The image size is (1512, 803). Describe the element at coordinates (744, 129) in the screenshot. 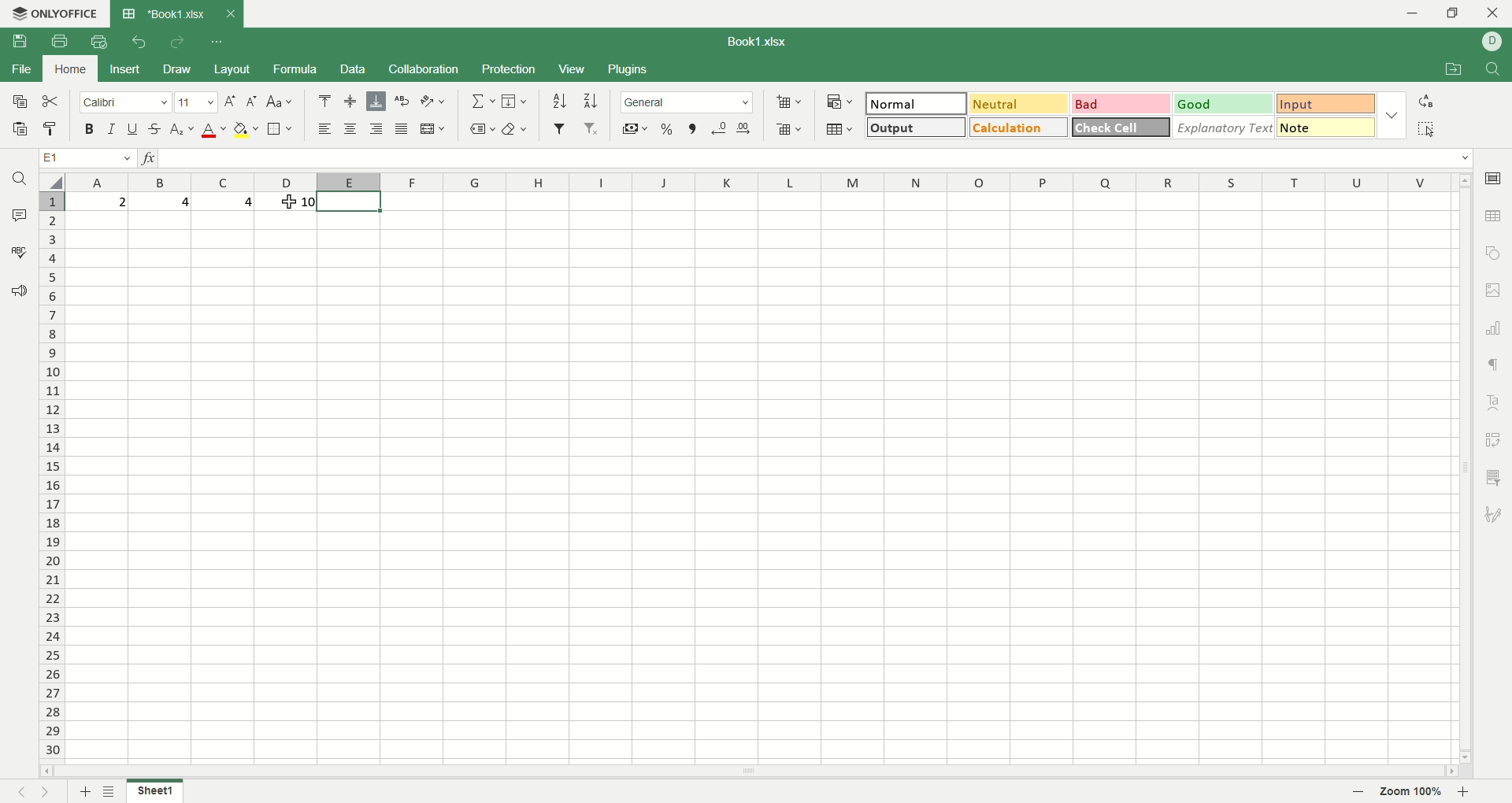

I see `increase decimal` at that location.